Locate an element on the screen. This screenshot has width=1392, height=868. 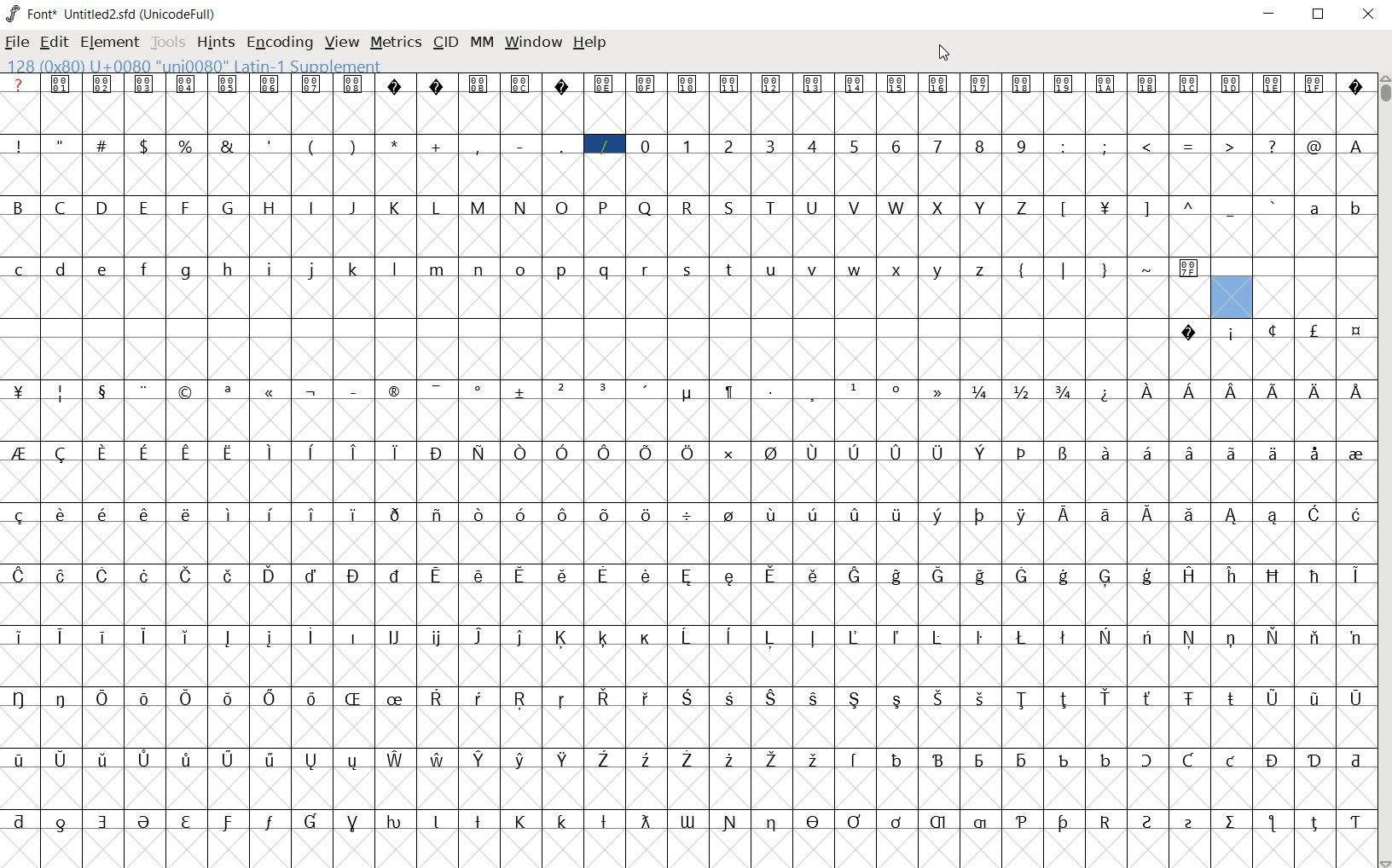
glyph is located at coordinates (1274, 205).